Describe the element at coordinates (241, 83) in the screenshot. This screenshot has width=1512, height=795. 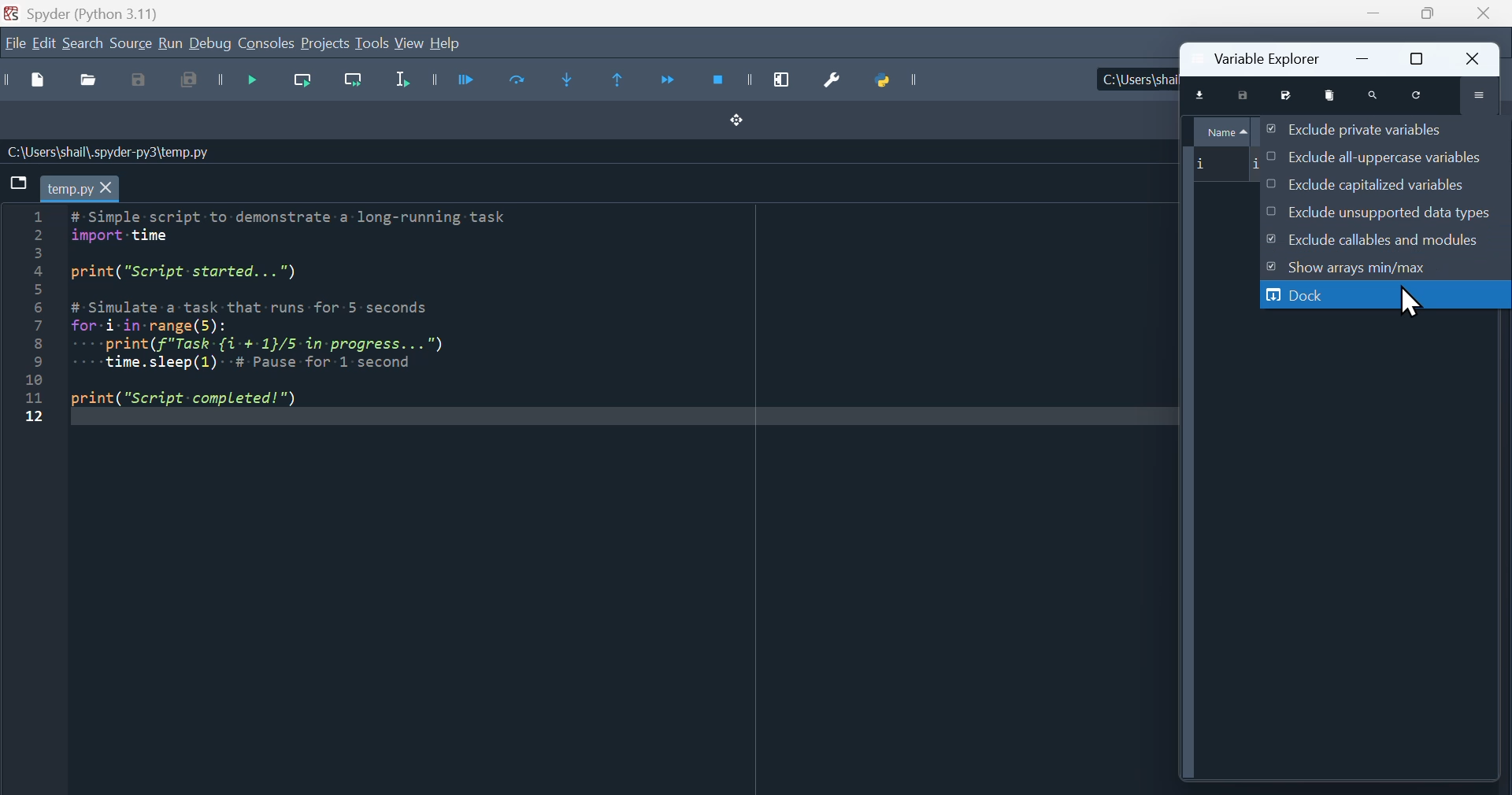
I see `Debug file` at that location.